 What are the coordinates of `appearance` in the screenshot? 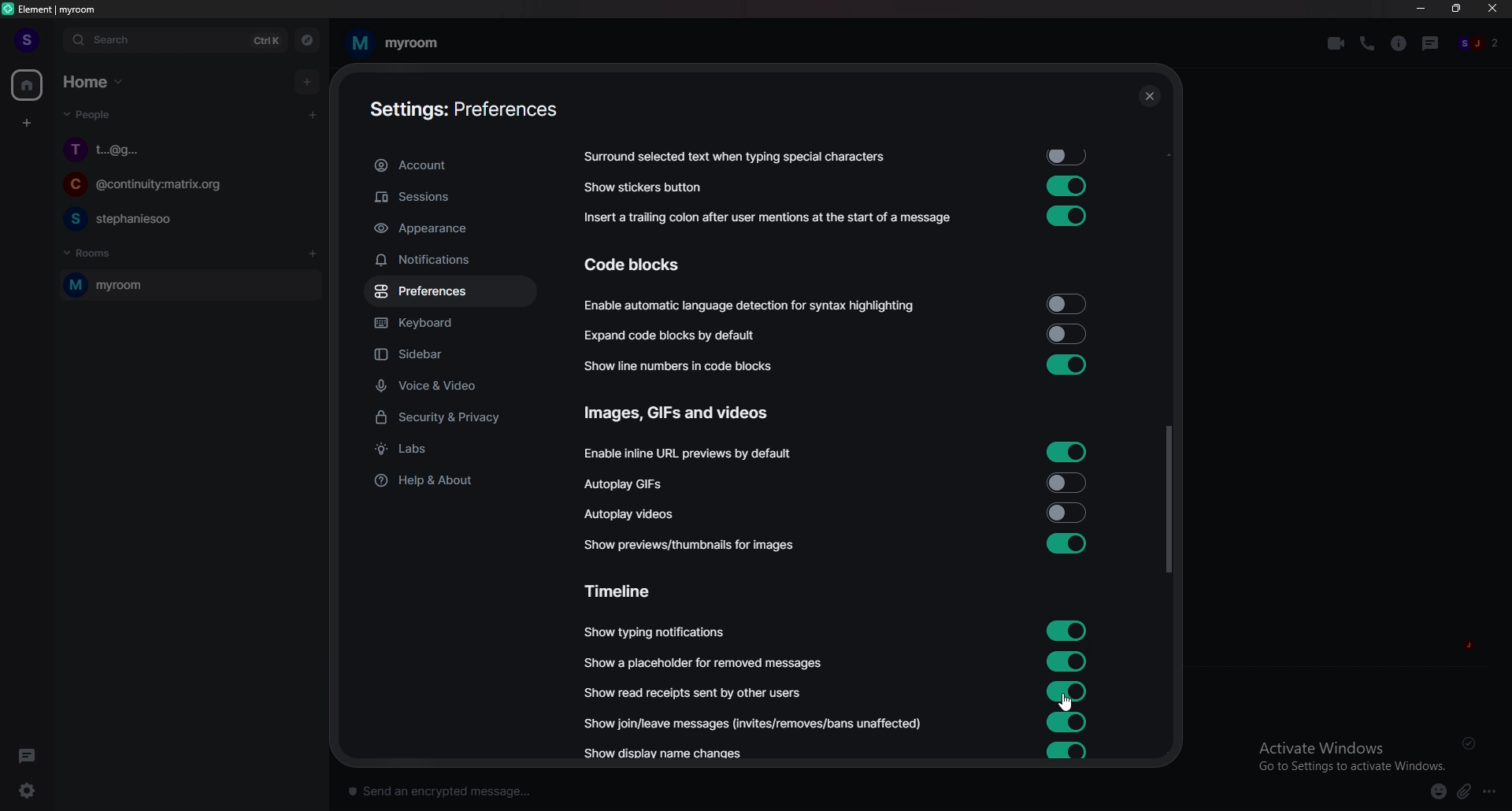 It's located at (450, 229).